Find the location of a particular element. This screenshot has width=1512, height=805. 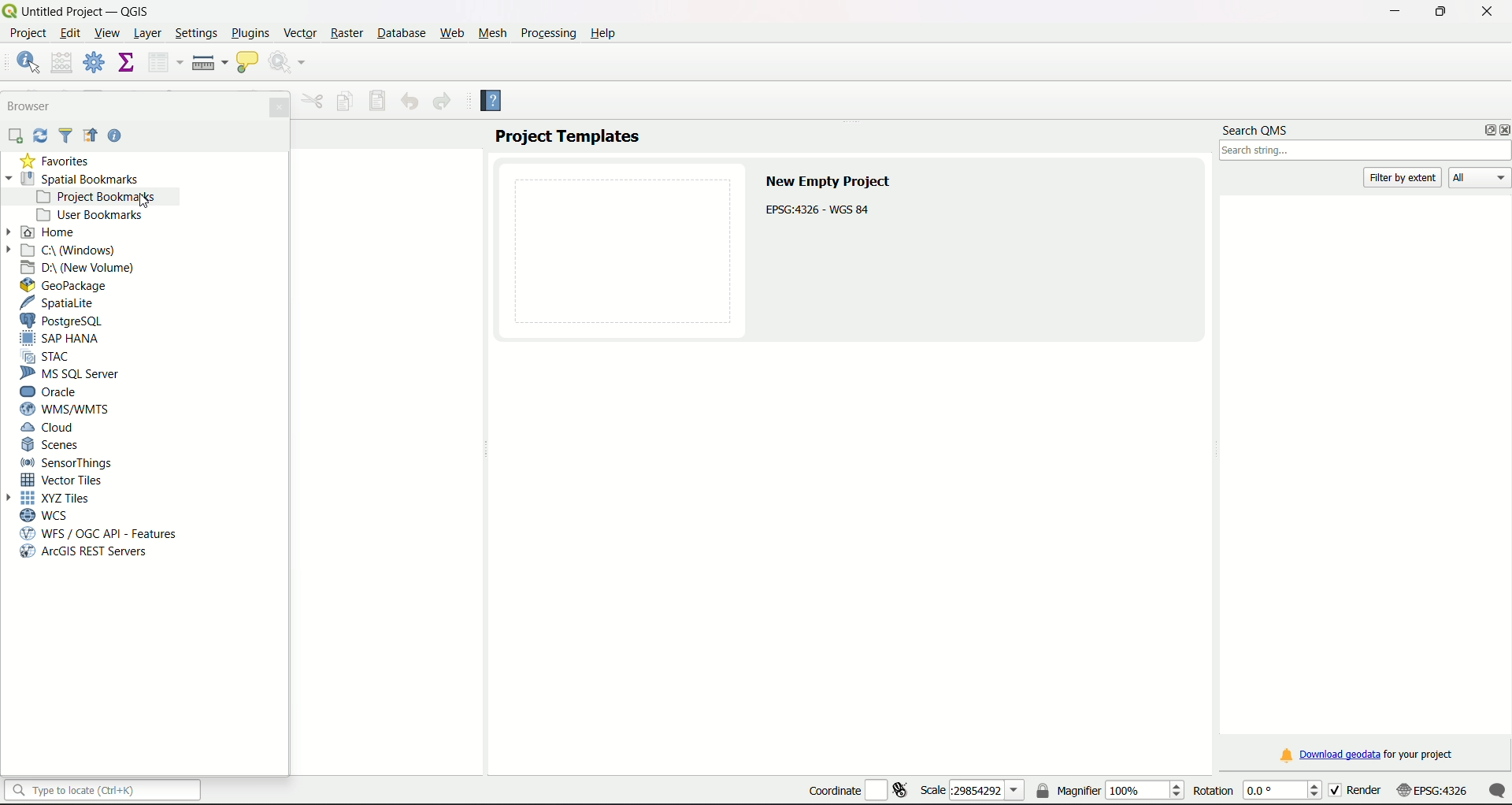

minimize is located at coordinates (1392, 12).